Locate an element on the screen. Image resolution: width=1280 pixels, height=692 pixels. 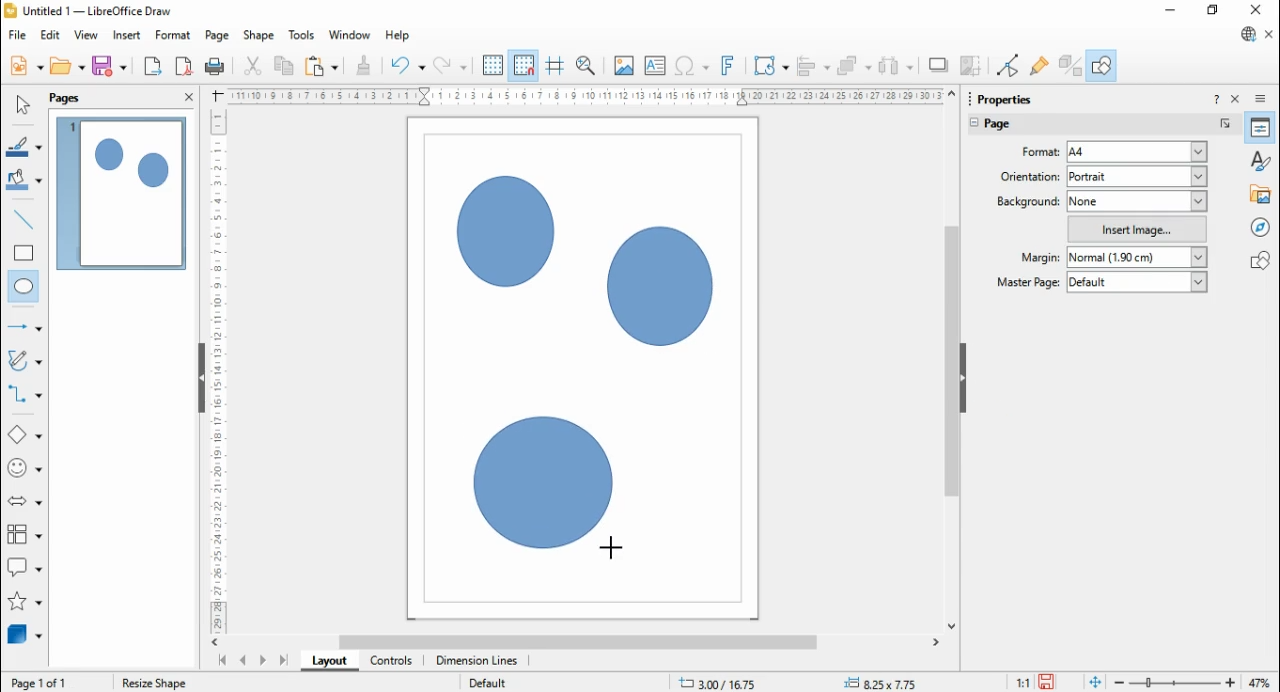
shape is located at coordinates (258, 36).